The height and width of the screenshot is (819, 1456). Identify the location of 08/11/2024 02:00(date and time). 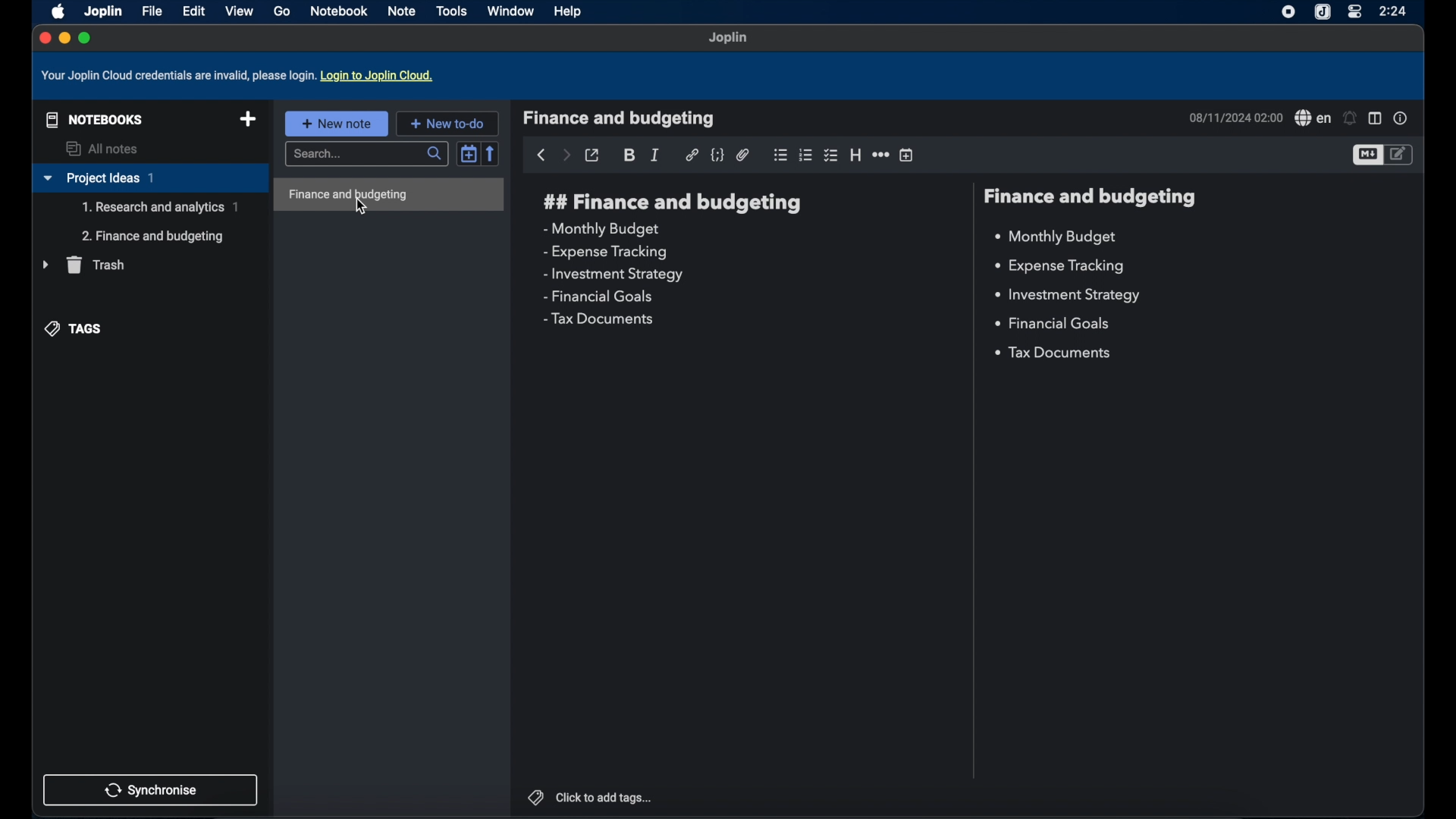
(1234, 118).